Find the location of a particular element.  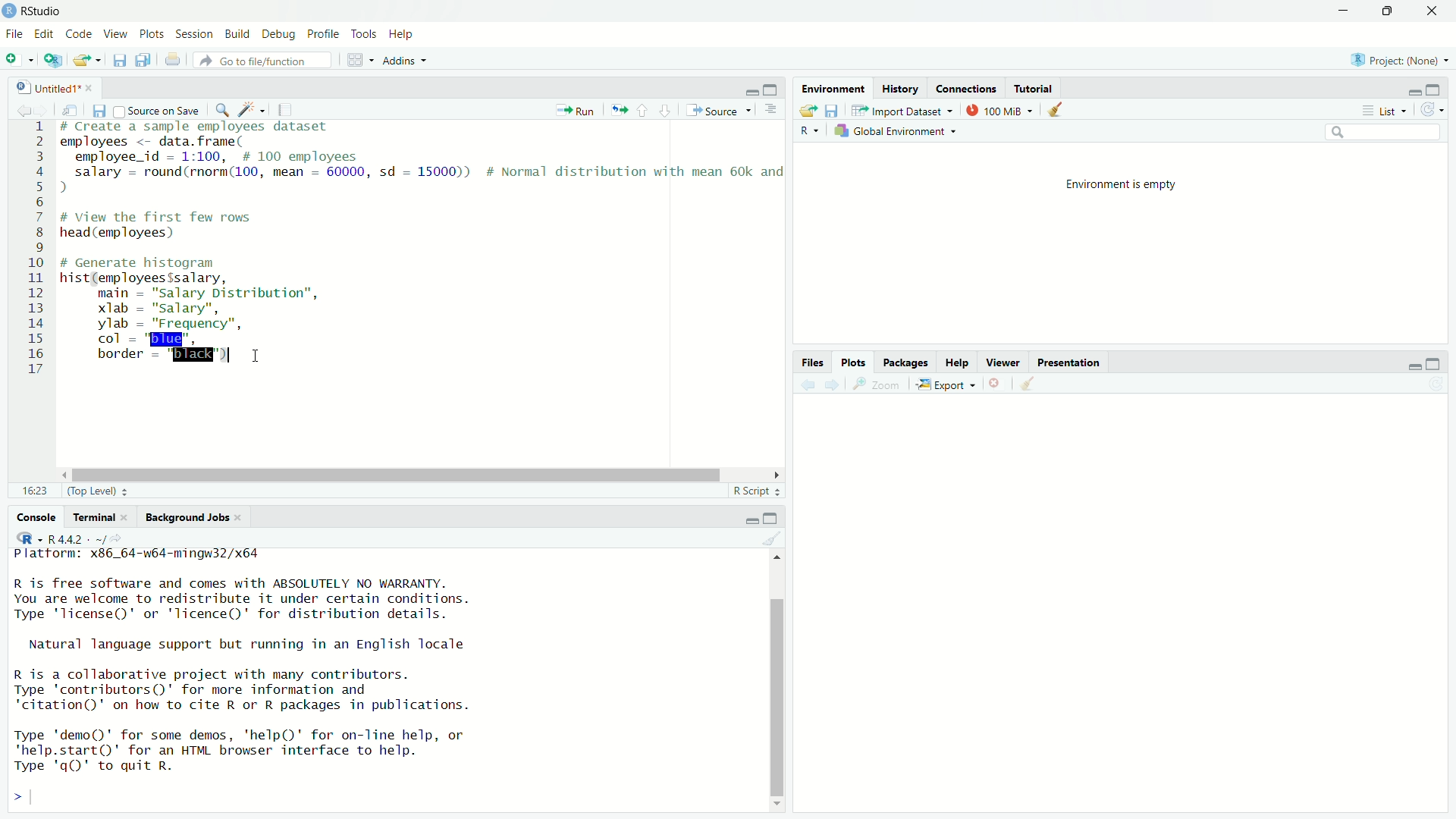

Debug is located at coordinates (281, 35).